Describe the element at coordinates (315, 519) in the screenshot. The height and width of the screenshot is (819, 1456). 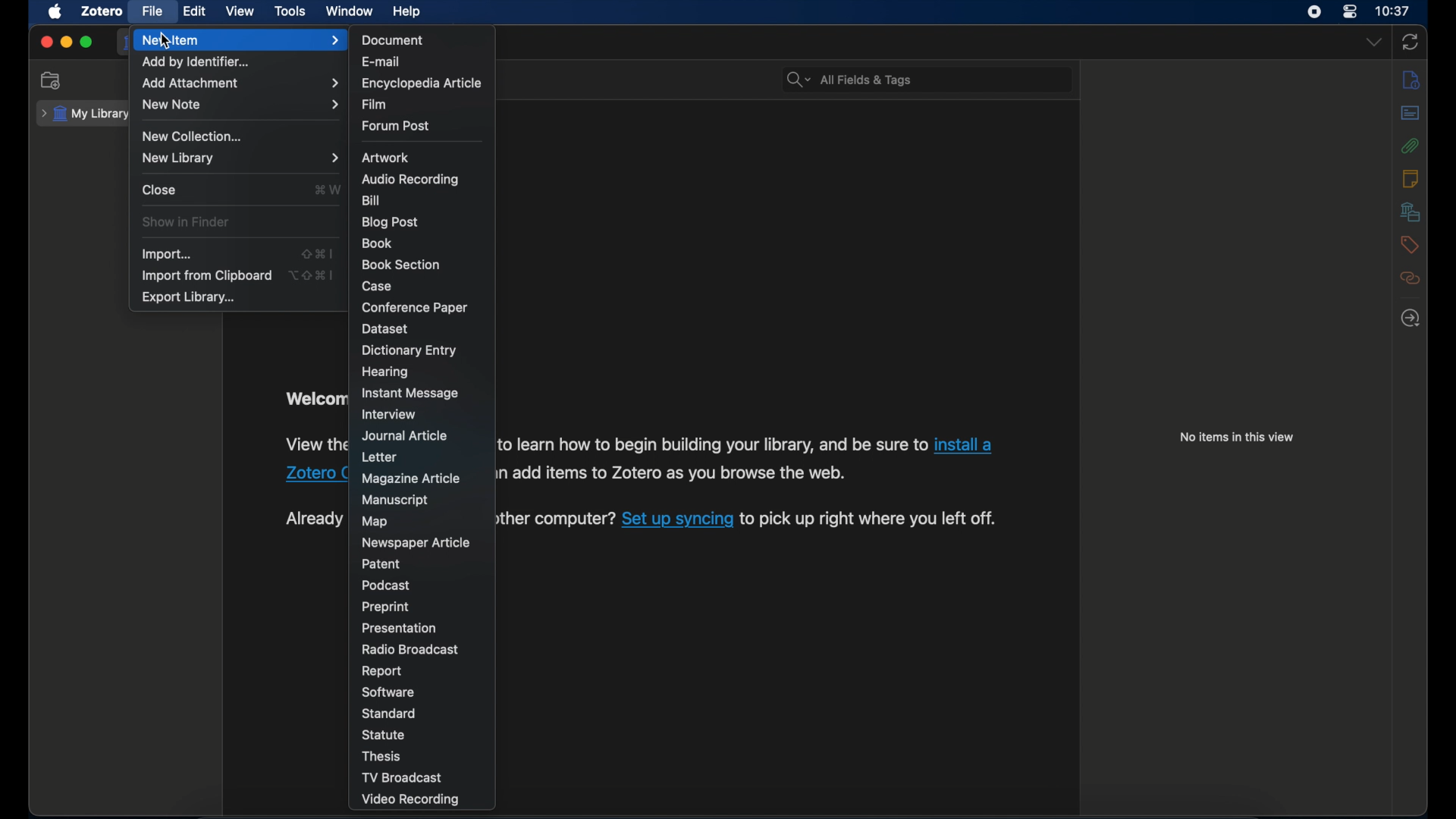
I see `text` at that location.